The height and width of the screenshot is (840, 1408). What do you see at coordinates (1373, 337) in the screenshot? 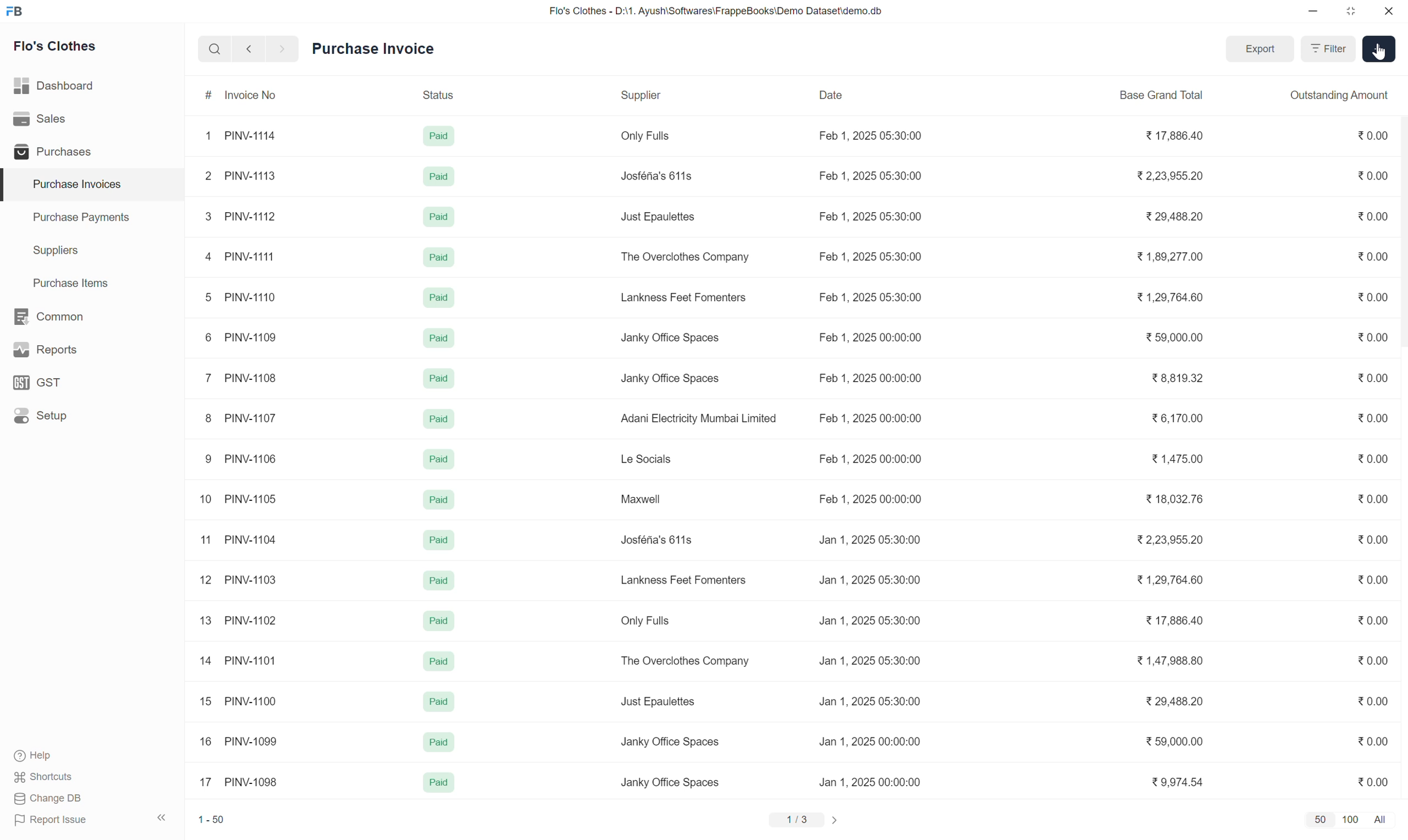
I see `0.00` at bounding box center [1373, 337].